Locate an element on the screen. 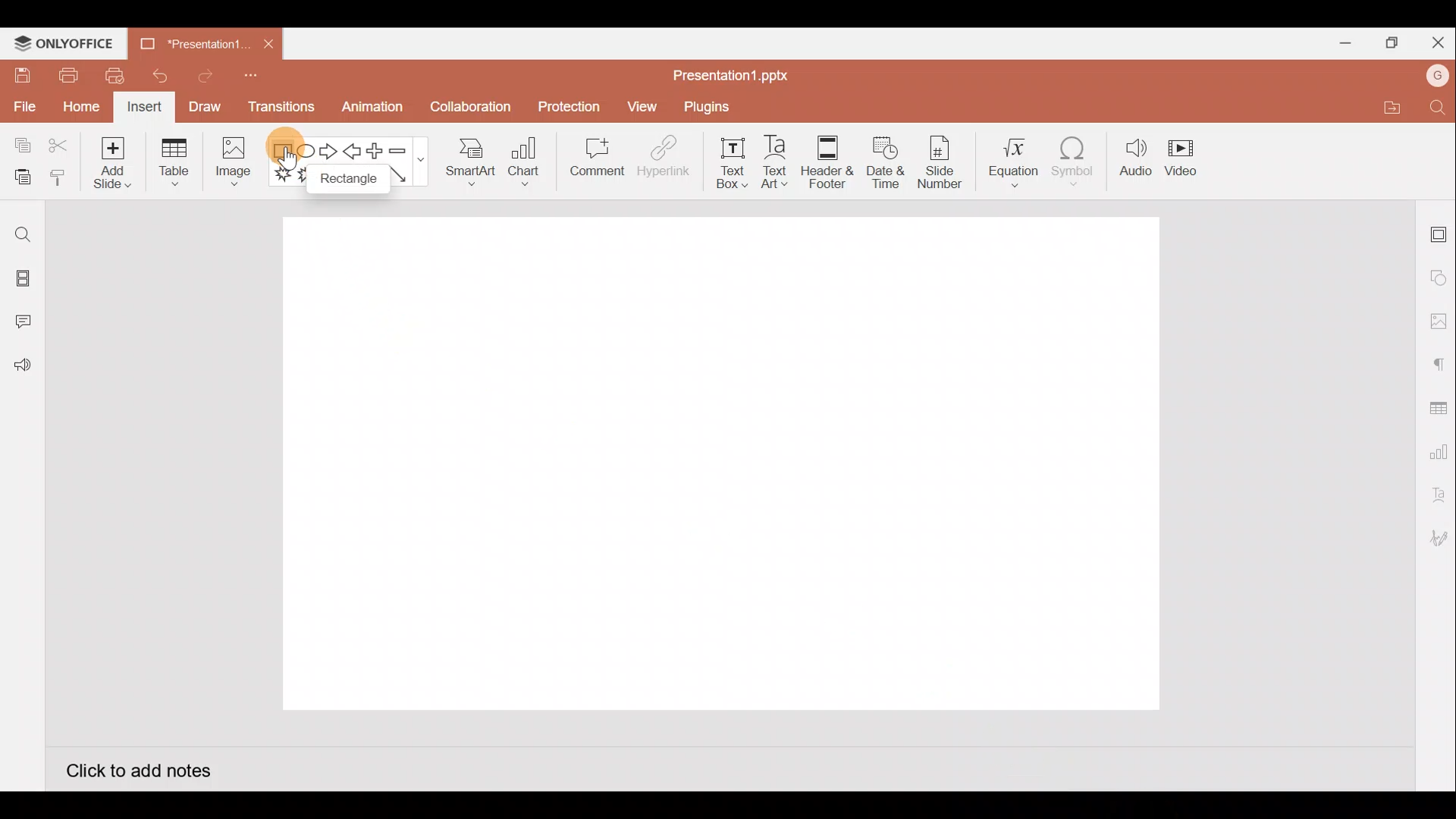 This screenshot has width=1456, height=819. File is located at coordinates (23, 104).